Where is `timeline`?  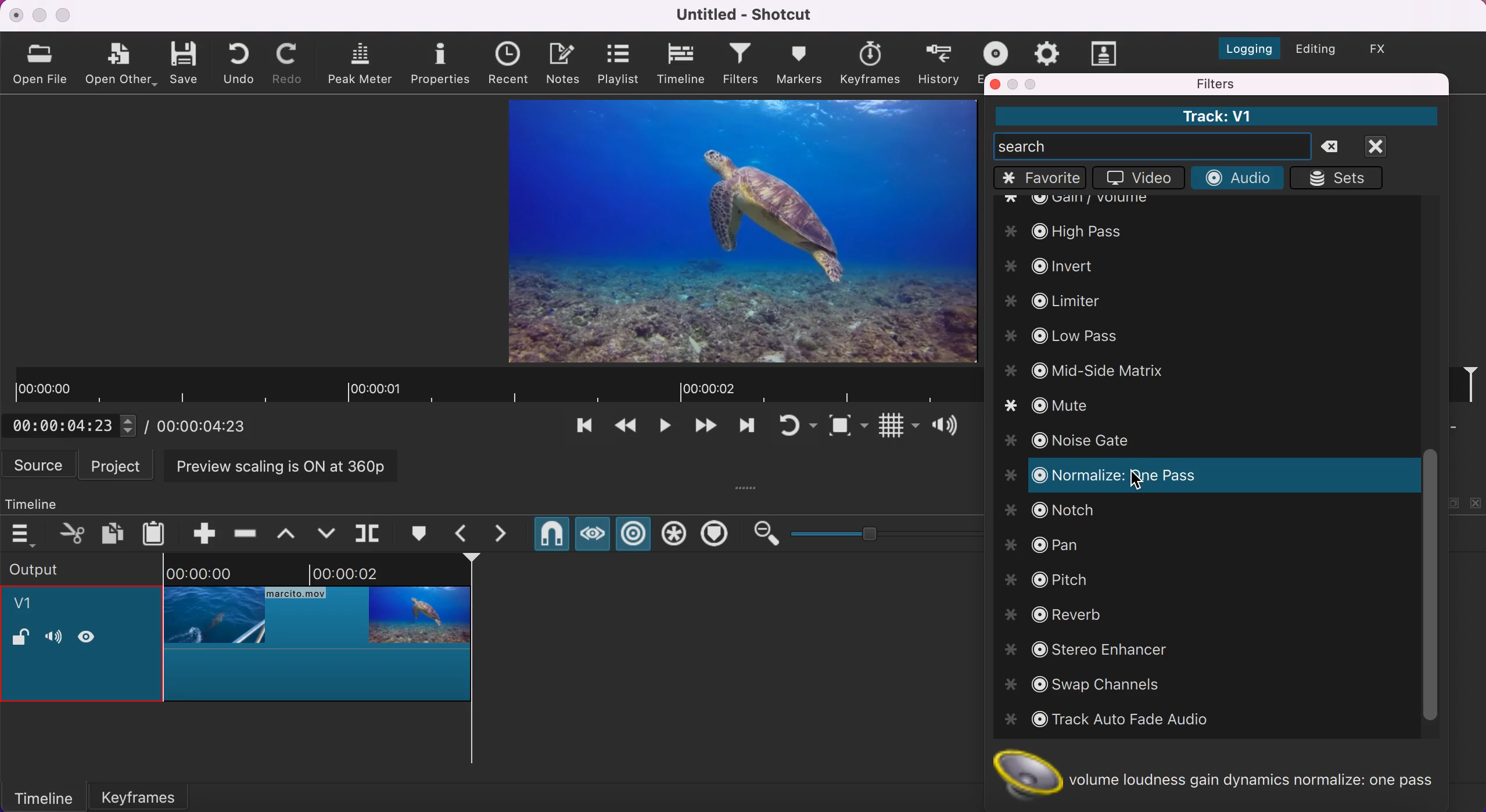 timeline is located at coordinates (43, 796).